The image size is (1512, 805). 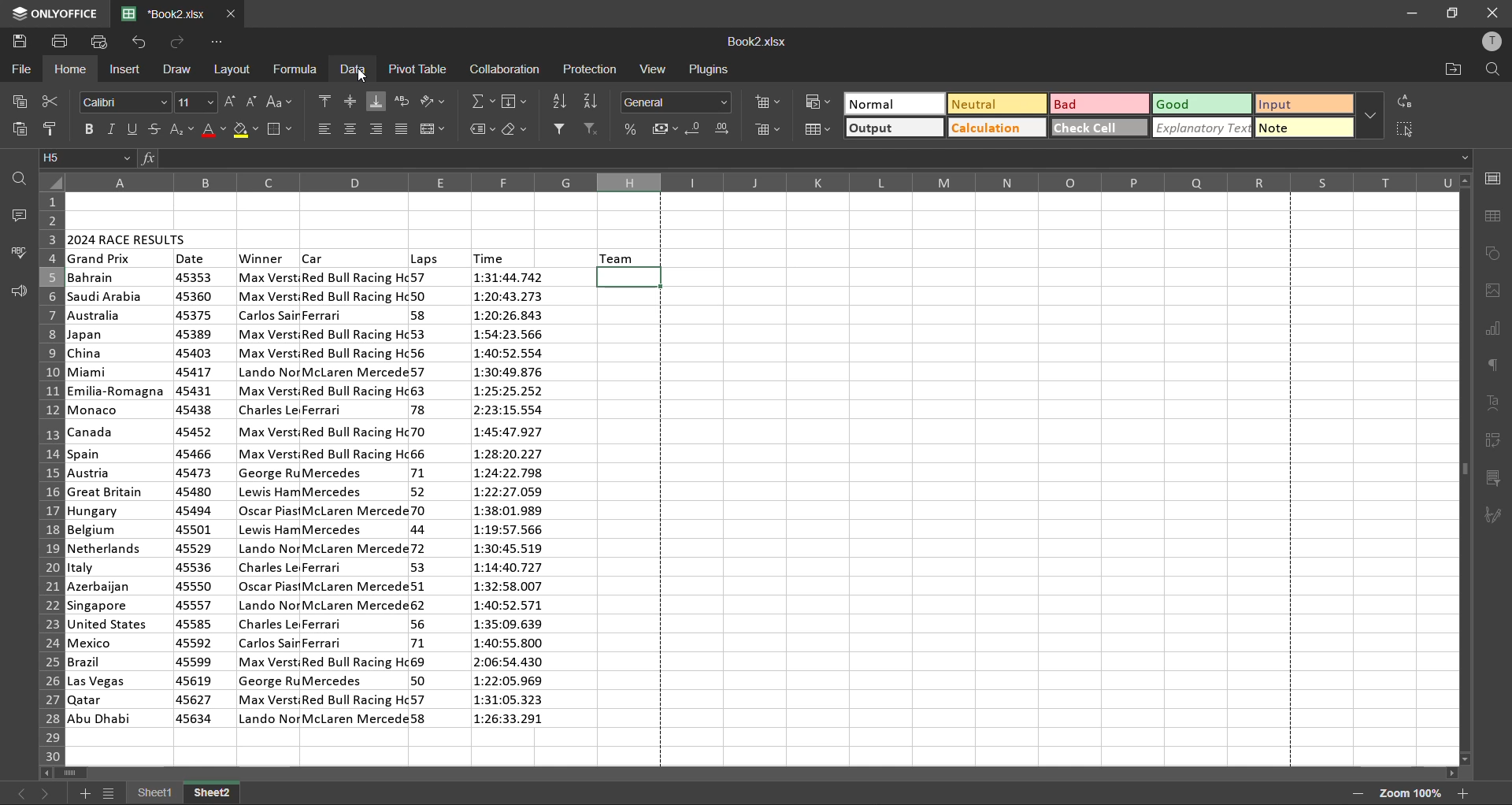 I want to click on insert cells, so click(x=769, y=101).